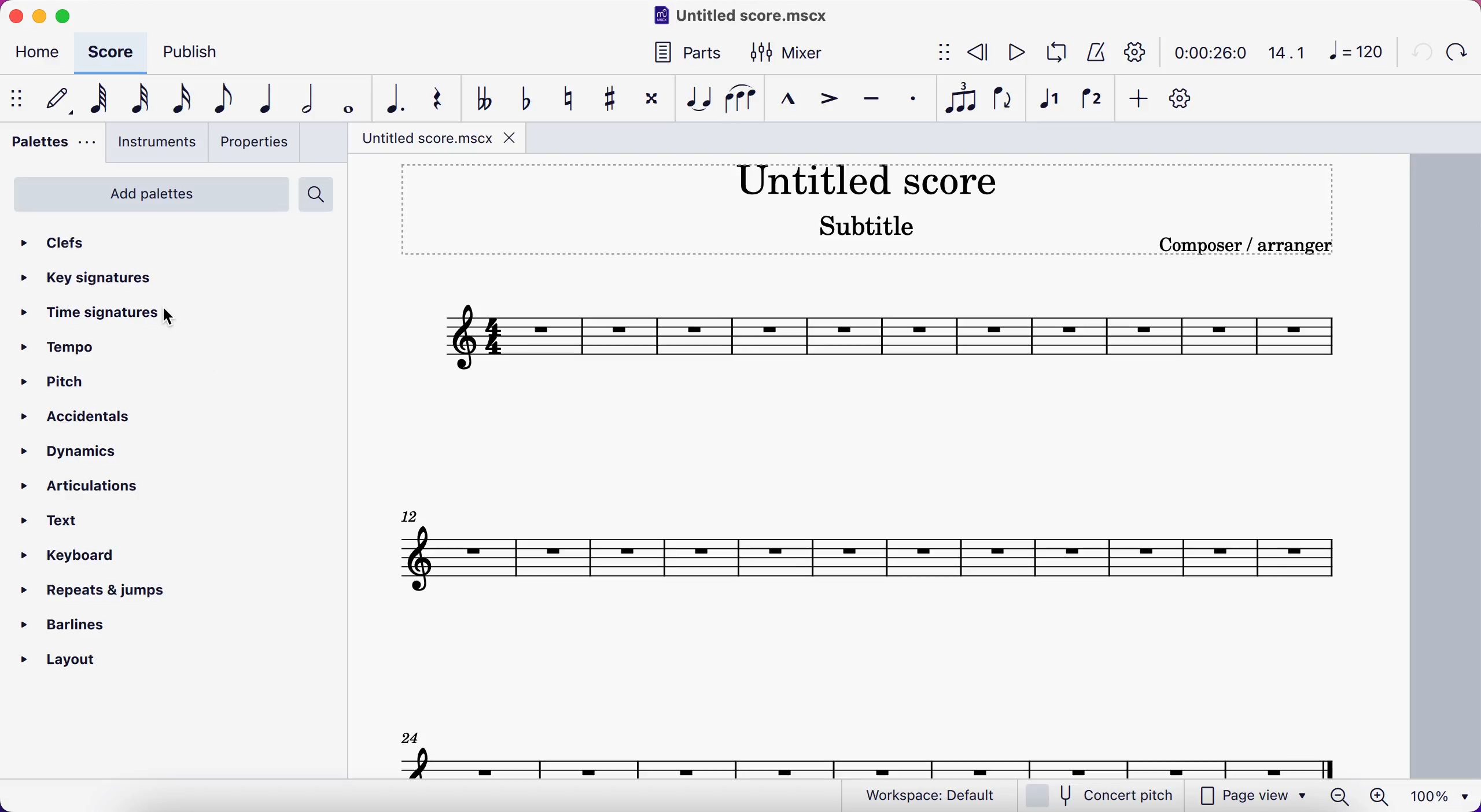 This screenshot has width=1481, height=812. I want to click on maimize, so click(71, 17).